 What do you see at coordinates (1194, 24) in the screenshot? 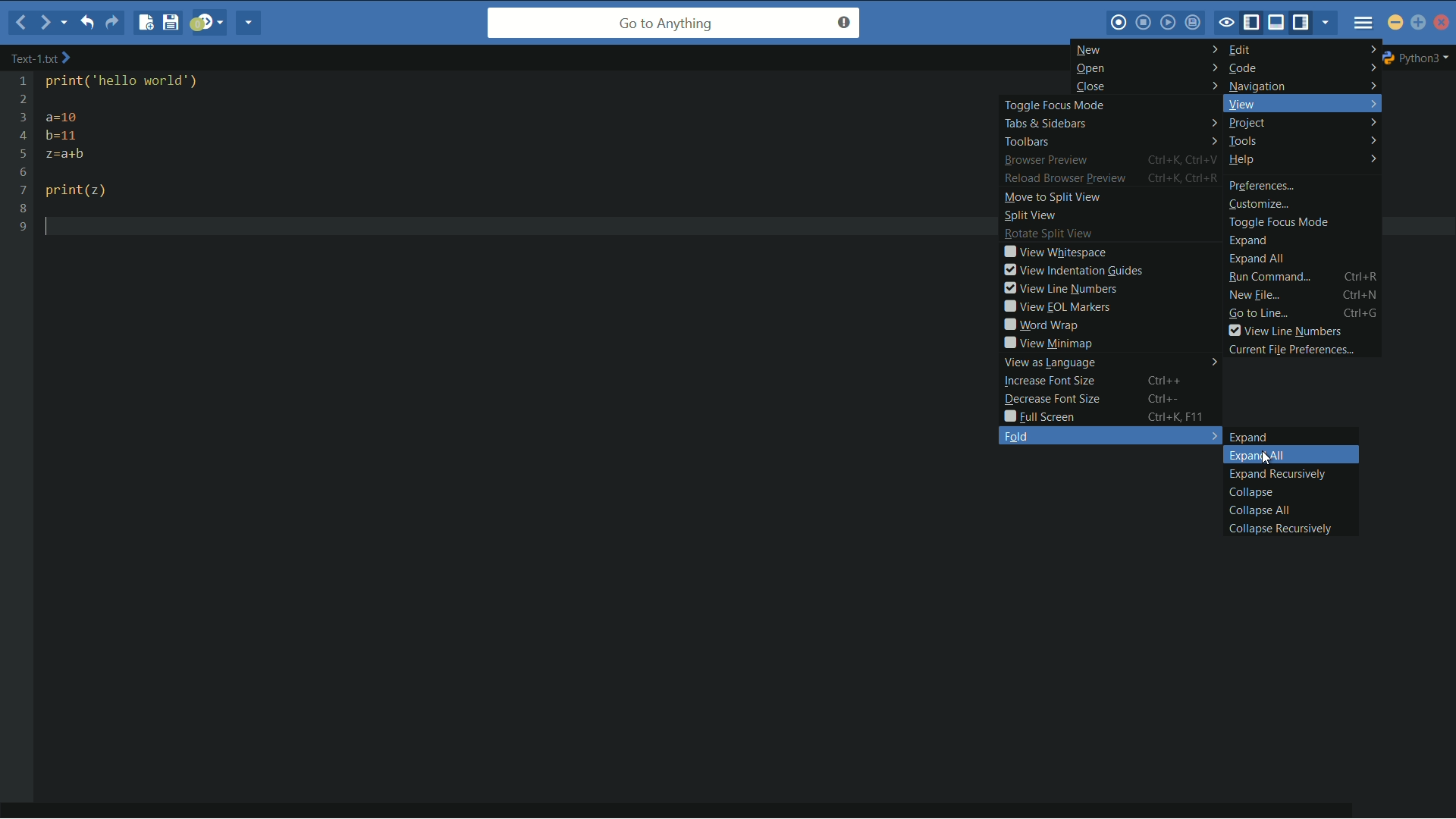
I see `save macro to toolbox` at bounding box center [1194, 24].